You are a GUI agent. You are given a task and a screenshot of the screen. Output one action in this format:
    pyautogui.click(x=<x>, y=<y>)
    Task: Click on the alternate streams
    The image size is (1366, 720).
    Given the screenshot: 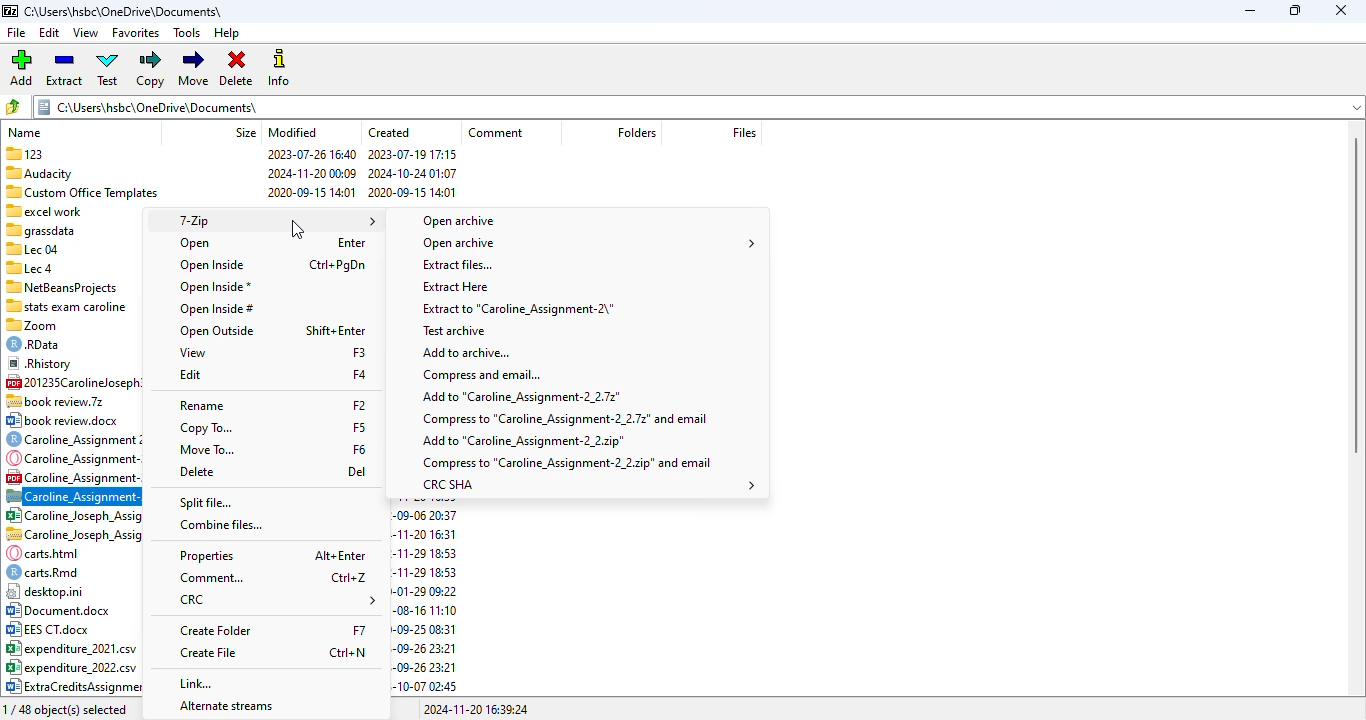 What is the action you would take?
    pyautogui.click(x=225, y=706)
    